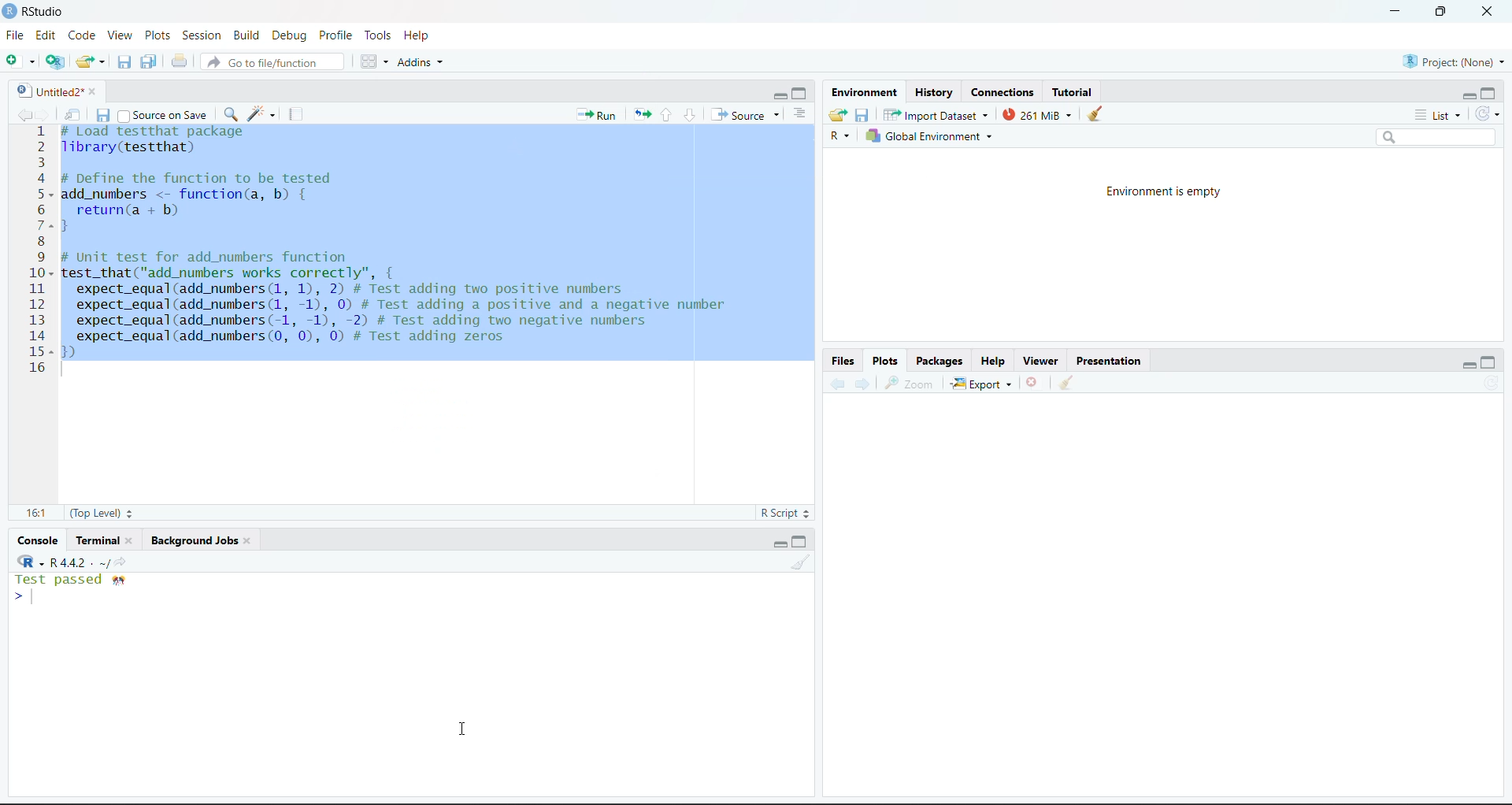 The image size is (1512, 805). Describe the element at coordinates (43, 12) in the screenshot. I see `RStudio` at that location.